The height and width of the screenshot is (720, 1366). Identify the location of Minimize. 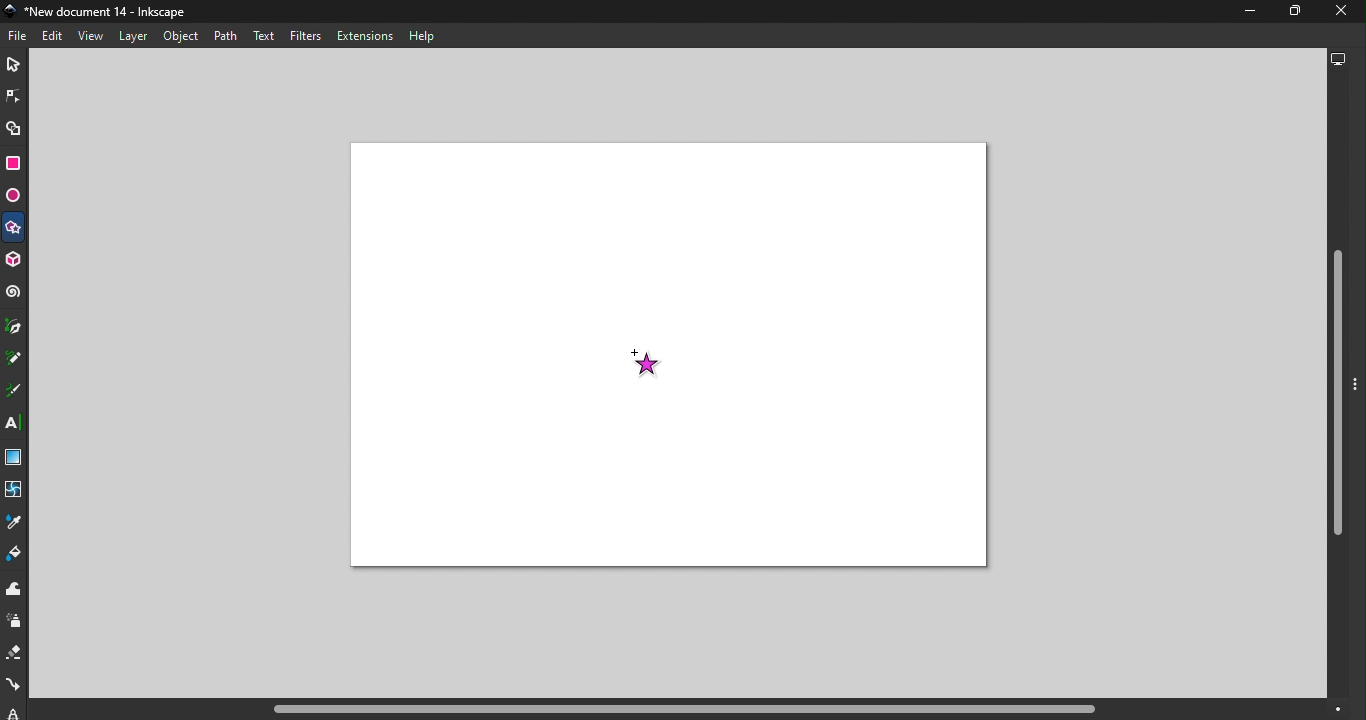
(1245, 15).